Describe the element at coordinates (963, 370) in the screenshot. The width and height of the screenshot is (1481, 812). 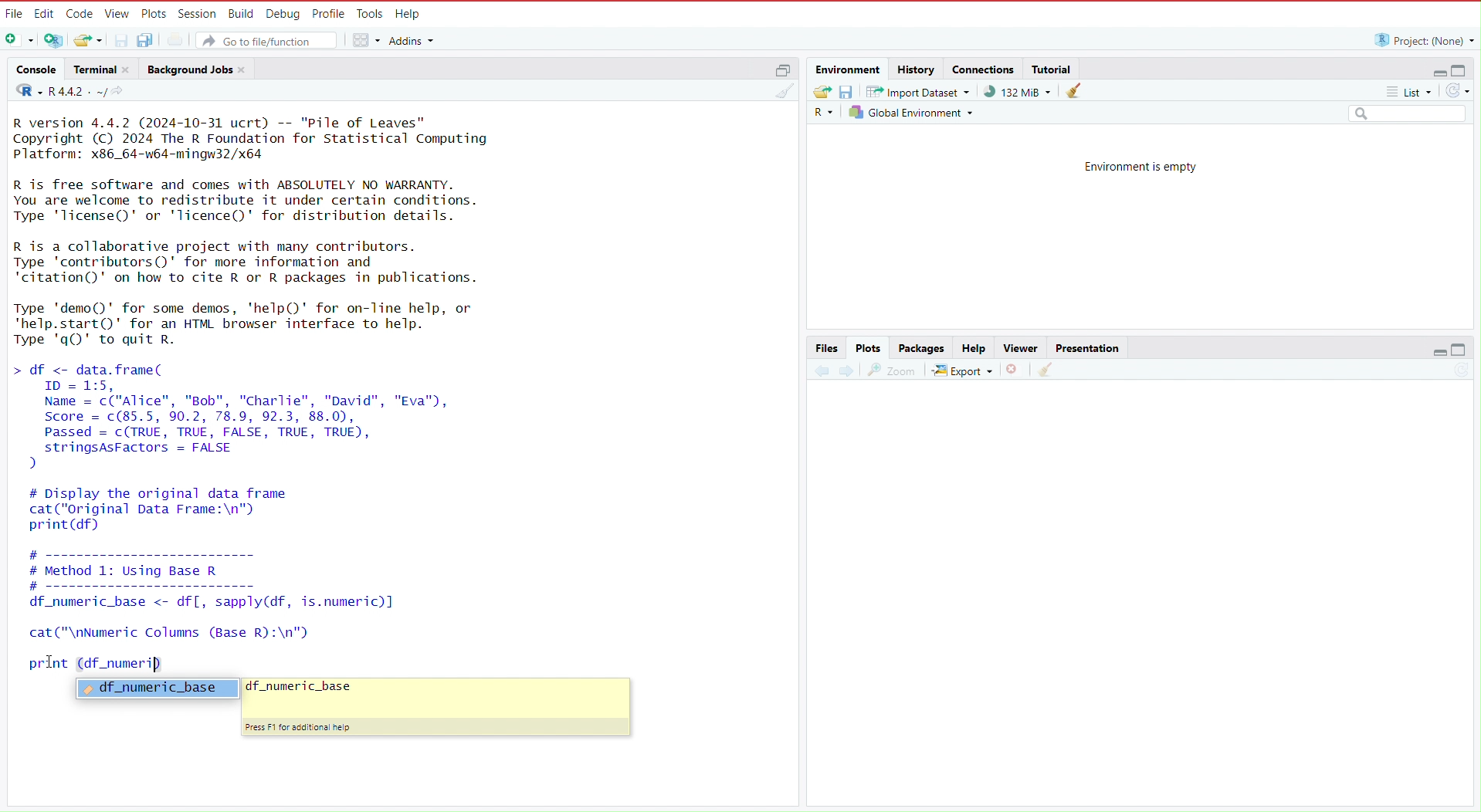
I see `export` at that location.